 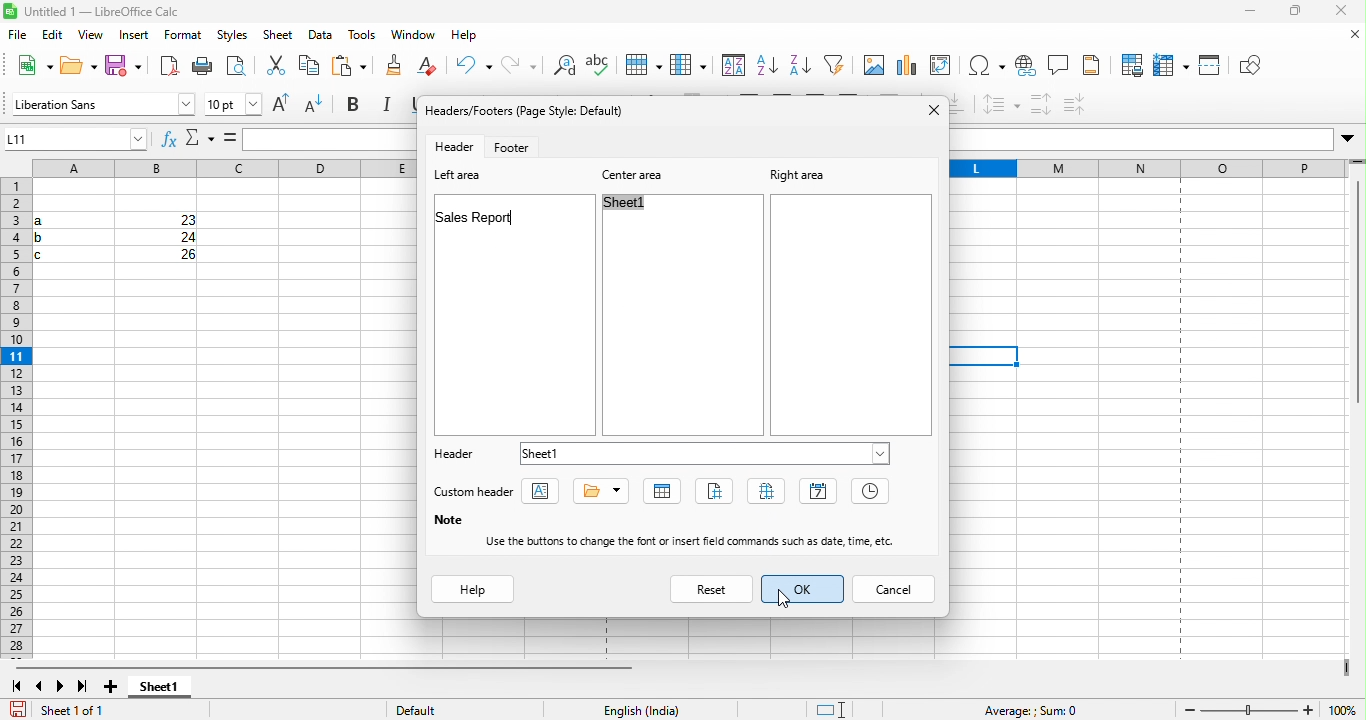 What do you see at coordinates (240, 68) in the screenshot?
I see `cut` at bounding box center [240, 68].